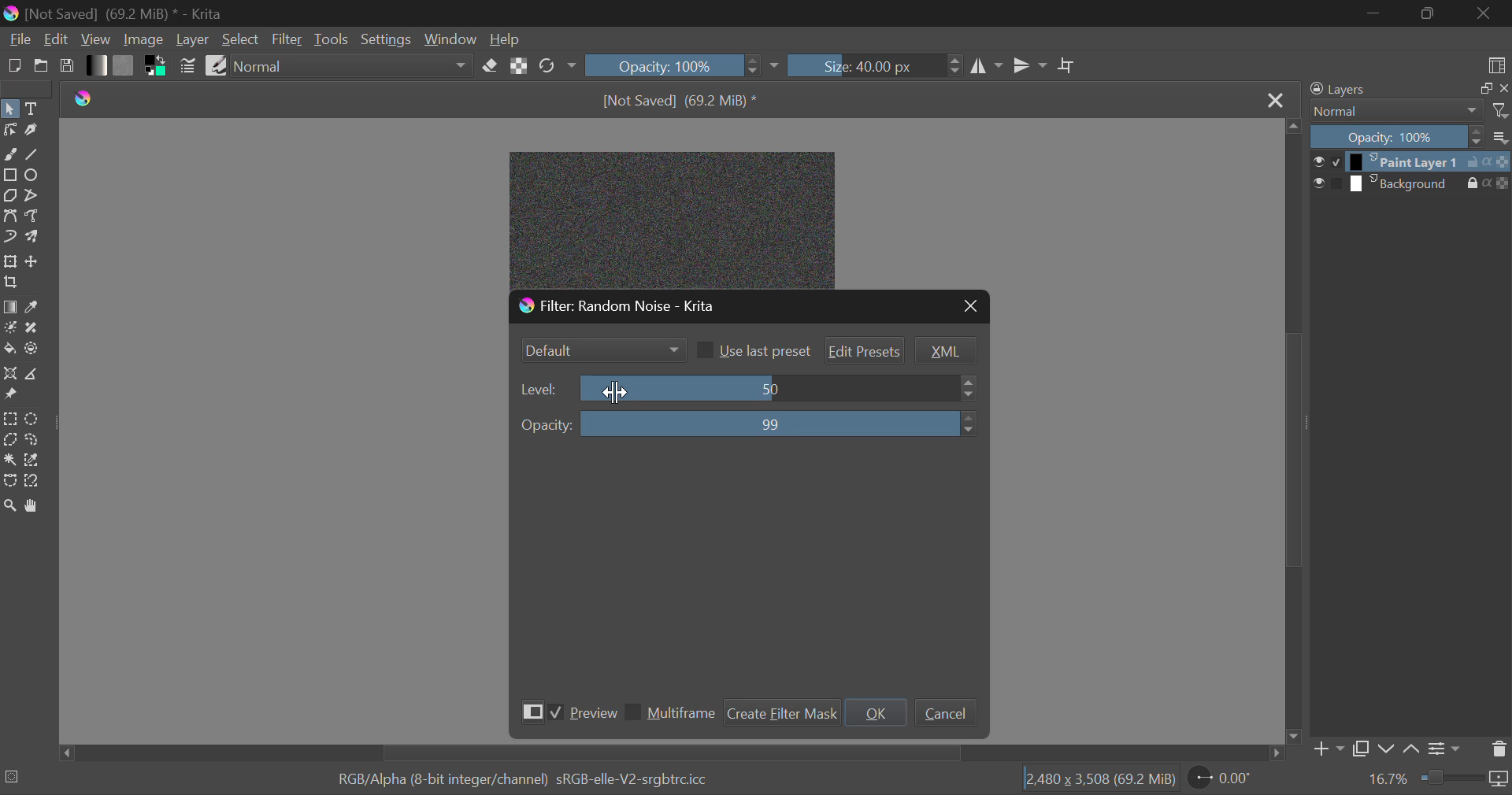  Describe the element at coordinates (95, 65) in the screenshot. I see `Gradients` at that location.